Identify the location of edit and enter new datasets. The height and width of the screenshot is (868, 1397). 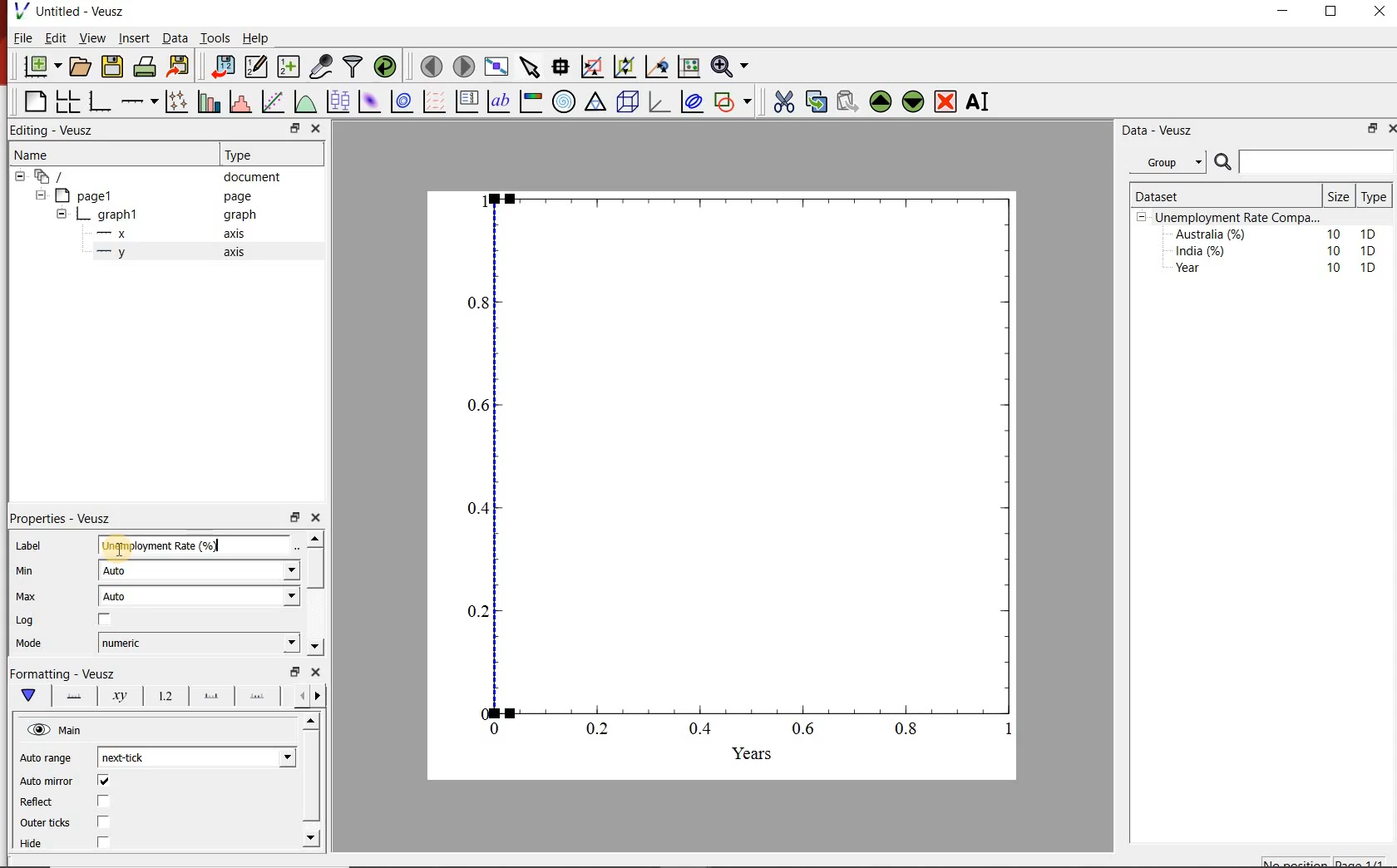
(258, 65).